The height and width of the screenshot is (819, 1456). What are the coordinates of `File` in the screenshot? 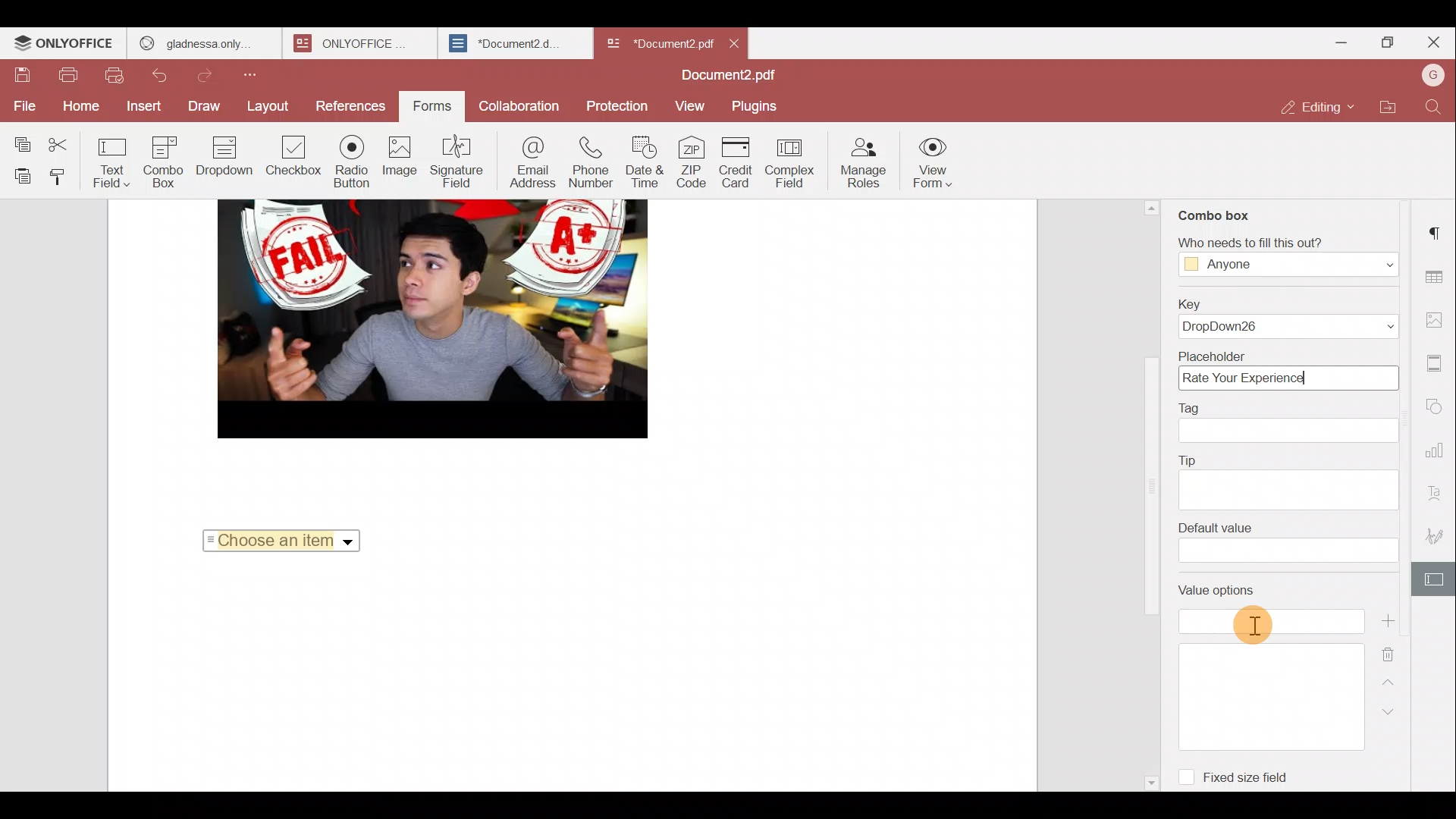 It's located at (21, 105).